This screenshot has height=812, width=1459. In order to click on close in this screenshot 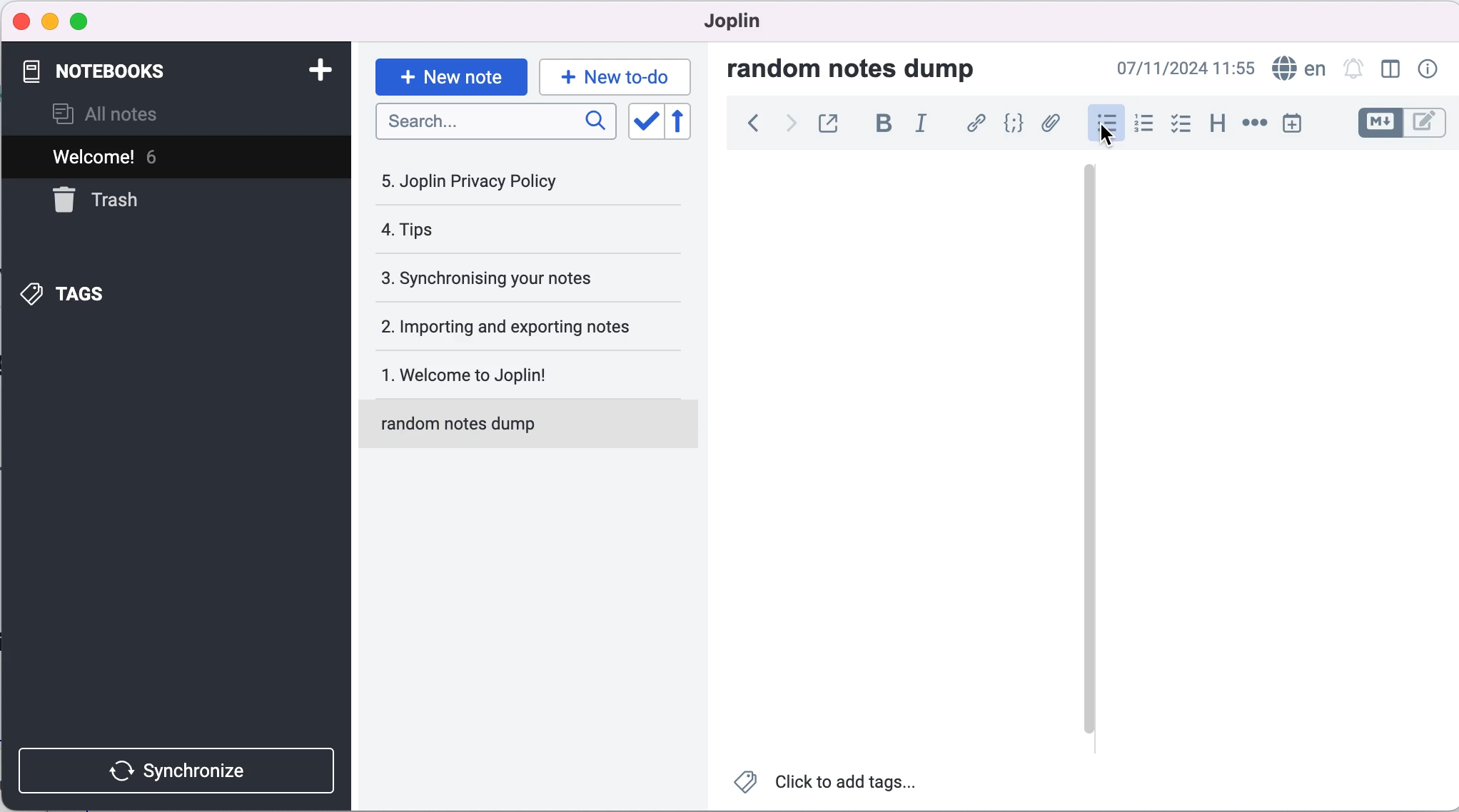, I will do `click(20, 21)`.